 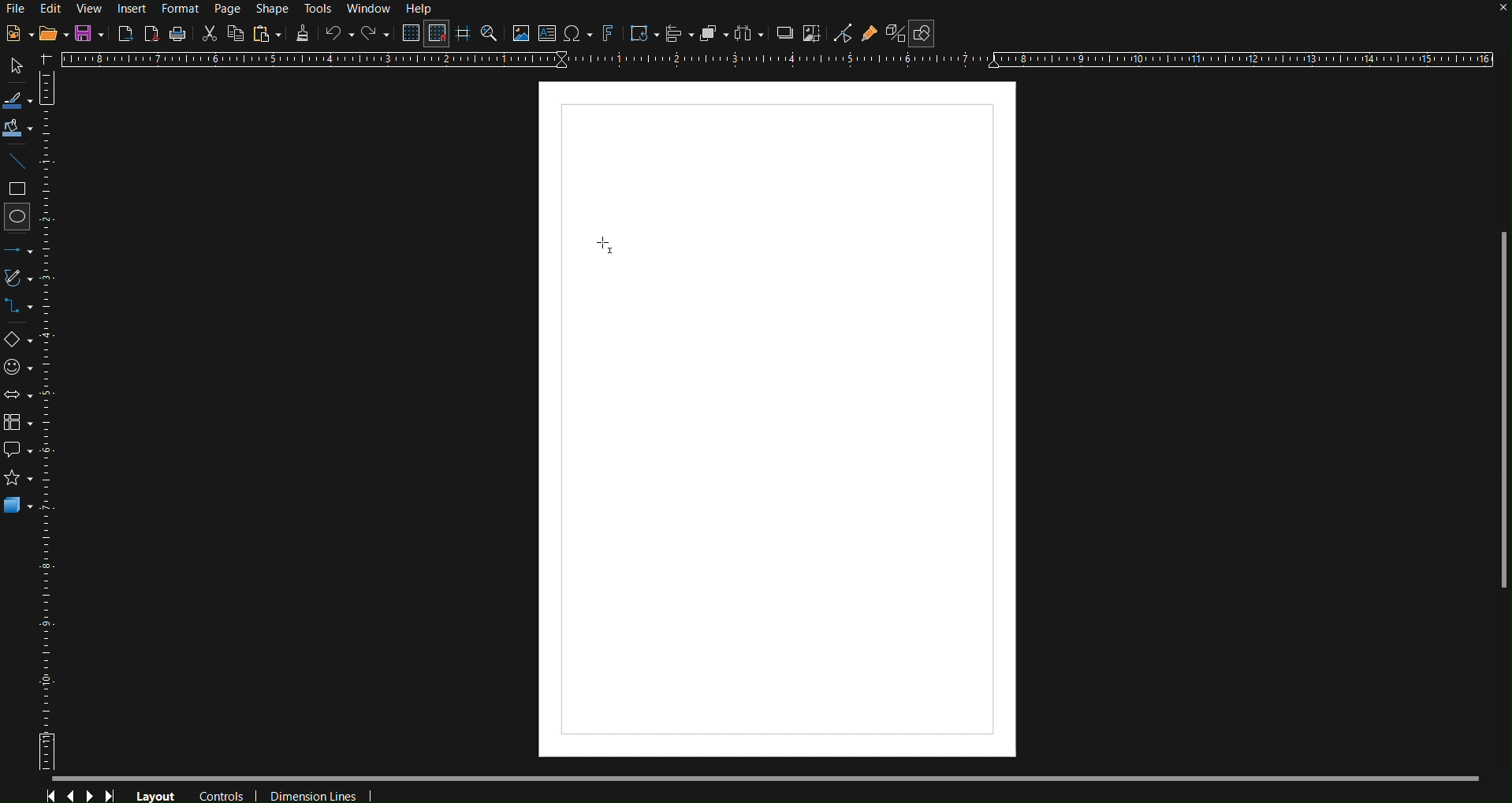 I want to click on close, so click(x=1502, y=9).